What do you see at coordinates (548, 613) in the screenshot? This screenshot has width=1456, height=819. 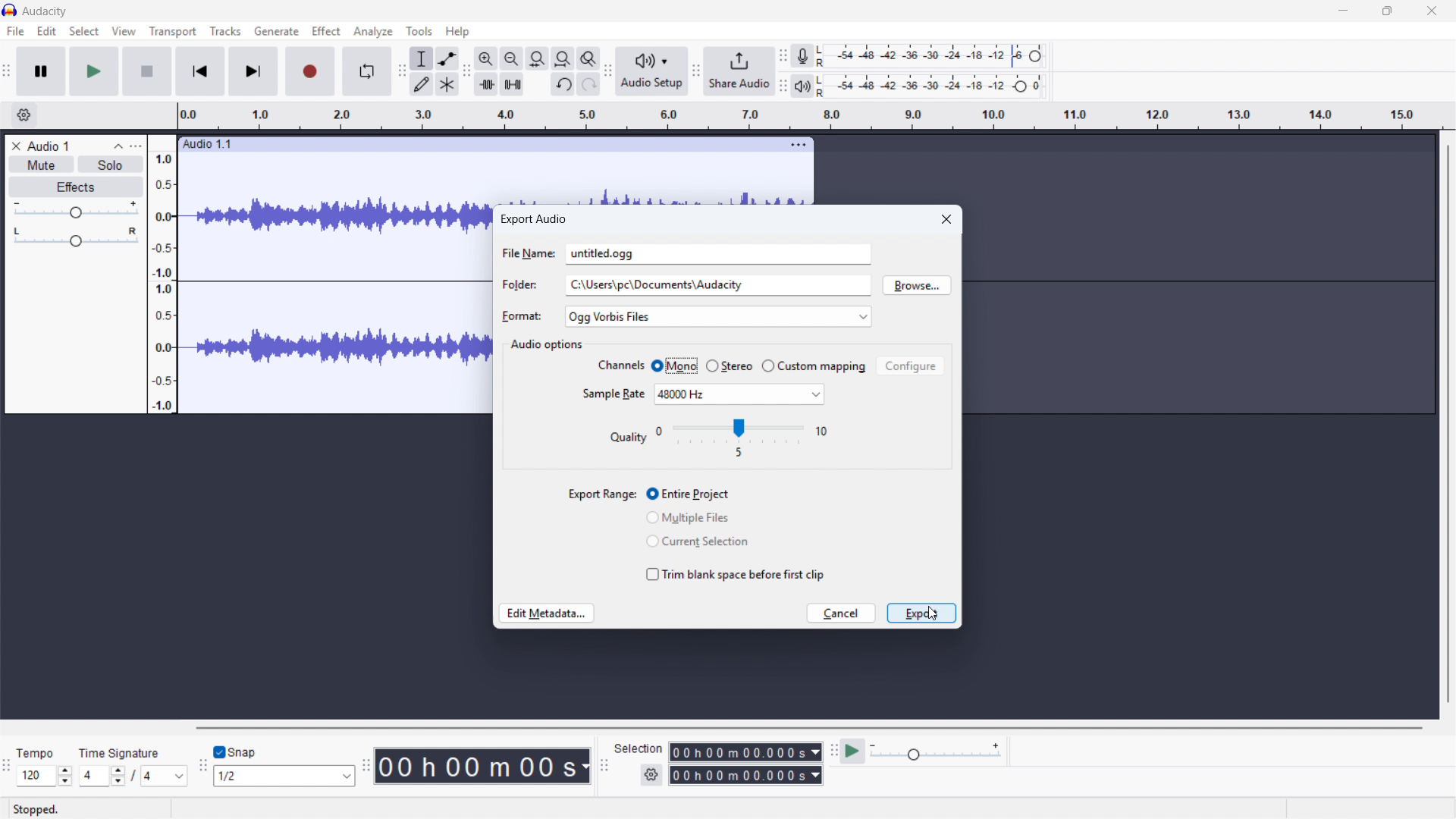 I see `Edit metadata ` at bounding box center [548, 613].